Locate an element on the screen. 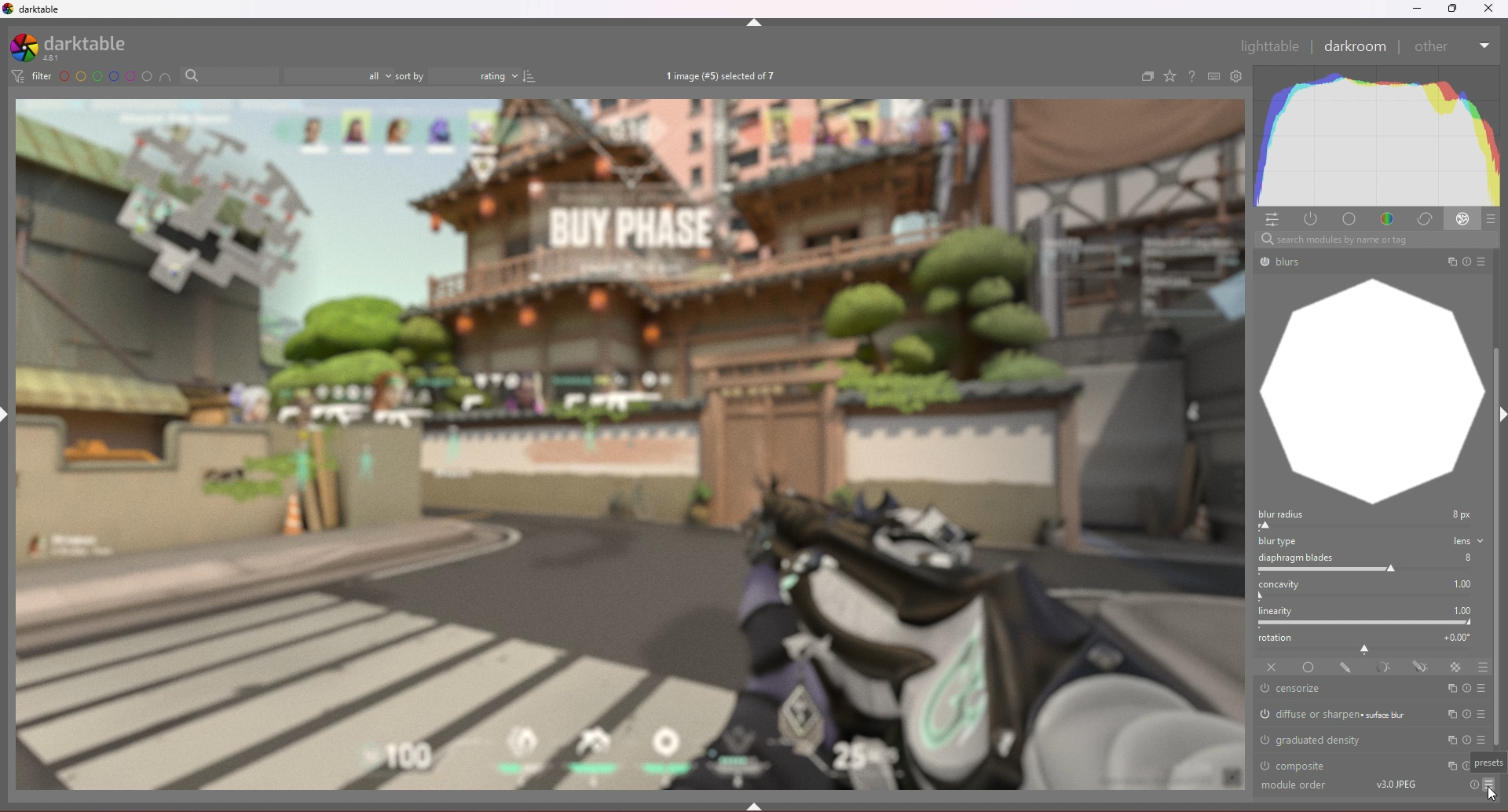 The image size is (1508, 812).  is located at coordinates (1300, 786).